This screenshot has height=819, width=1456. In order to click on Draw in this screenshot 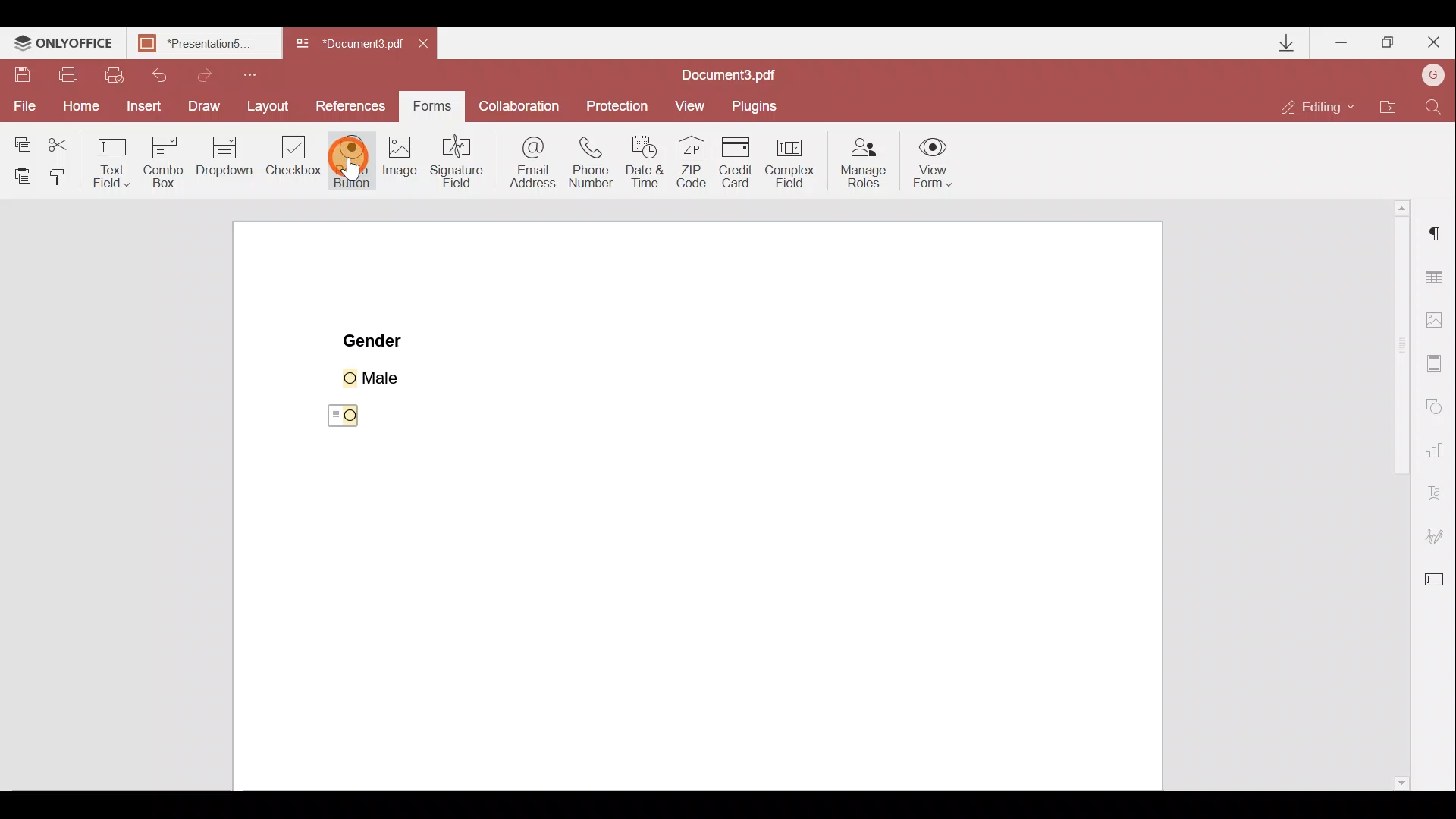, I will do `click(204, 105)`.